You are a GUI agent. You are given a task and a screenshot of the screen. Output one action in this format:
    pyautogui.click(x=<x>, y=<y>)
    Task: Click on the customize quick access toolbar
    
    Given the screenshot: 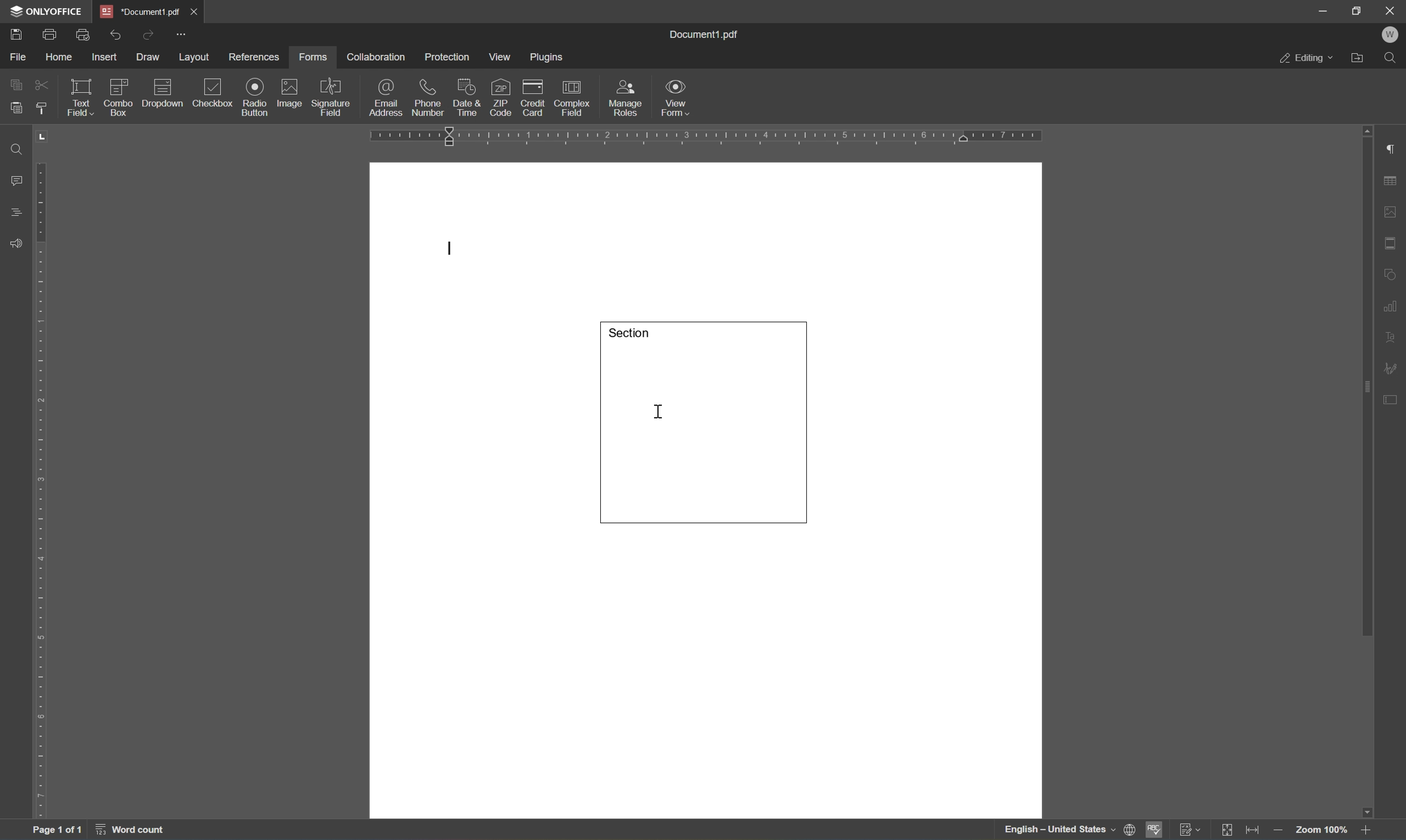 What is the action you would take?
    pyautogui.click(x=183, y=33)
    